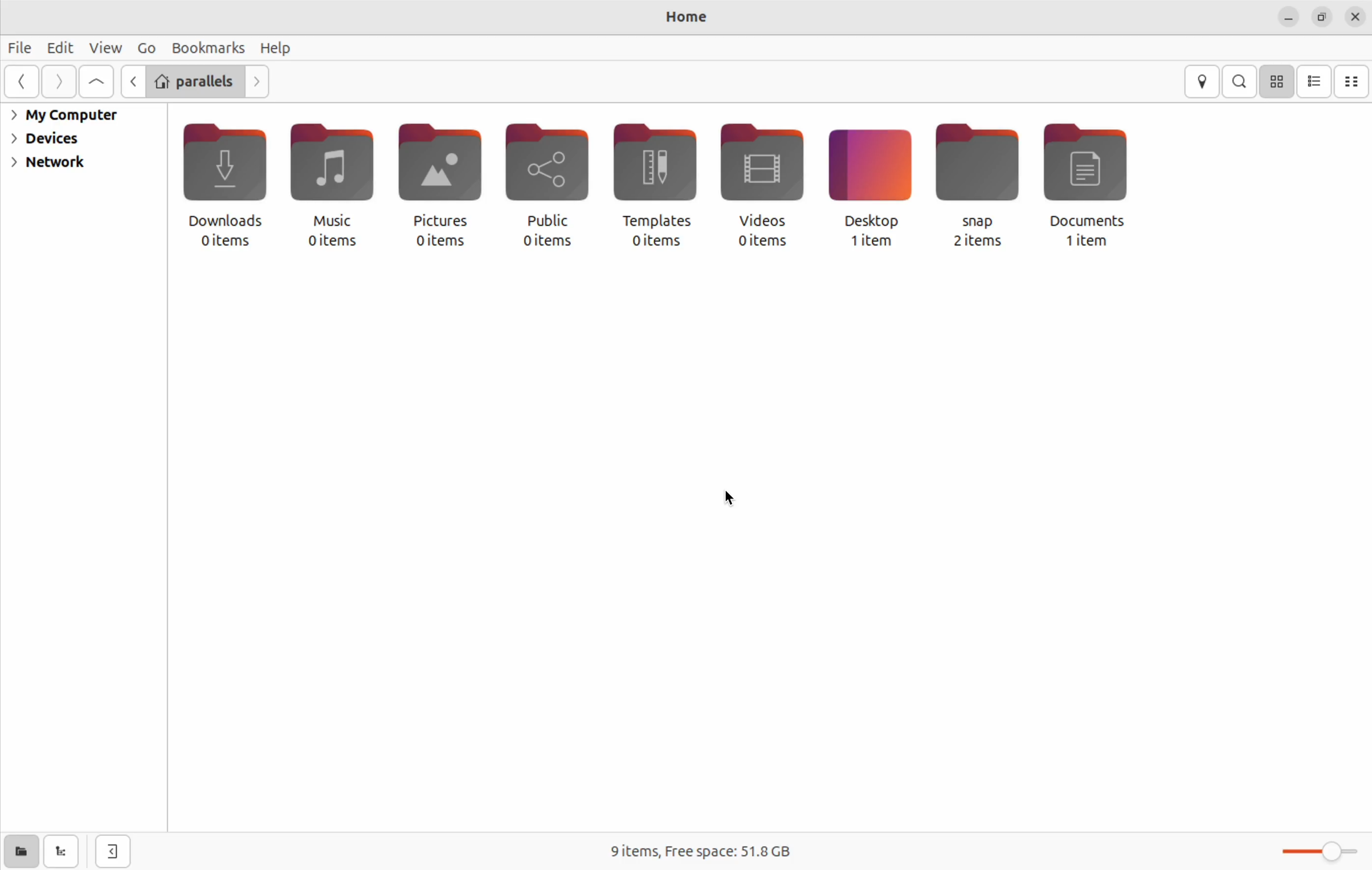  Describe the element at coordinates (222, 188) in the screenshot. I see `Downloads 0 items` at that location.